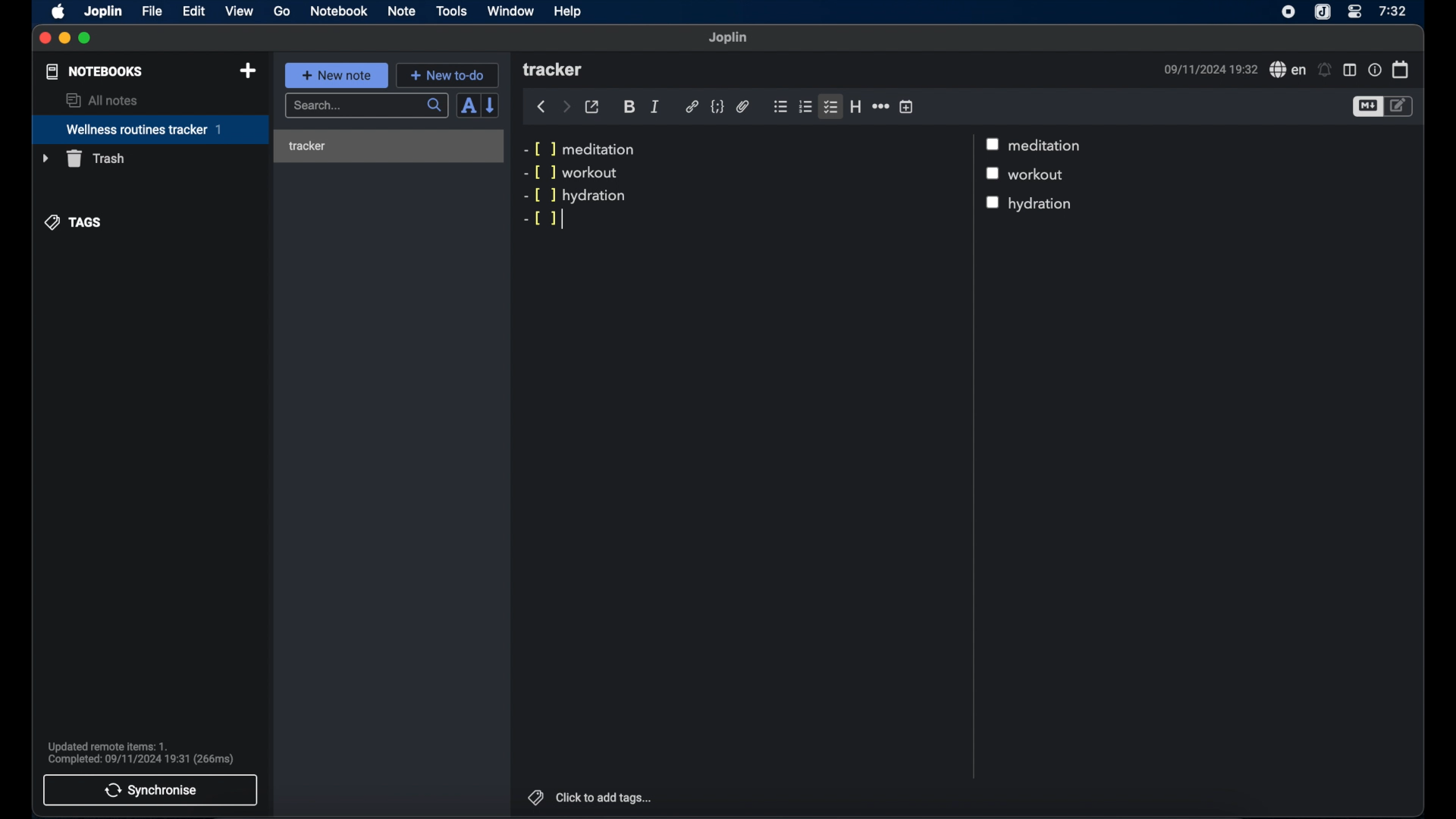 This screenshot has height=819, width=1456. Describe the element at coordinates (855, 106) in the screenshot. I see `heading` at that location.